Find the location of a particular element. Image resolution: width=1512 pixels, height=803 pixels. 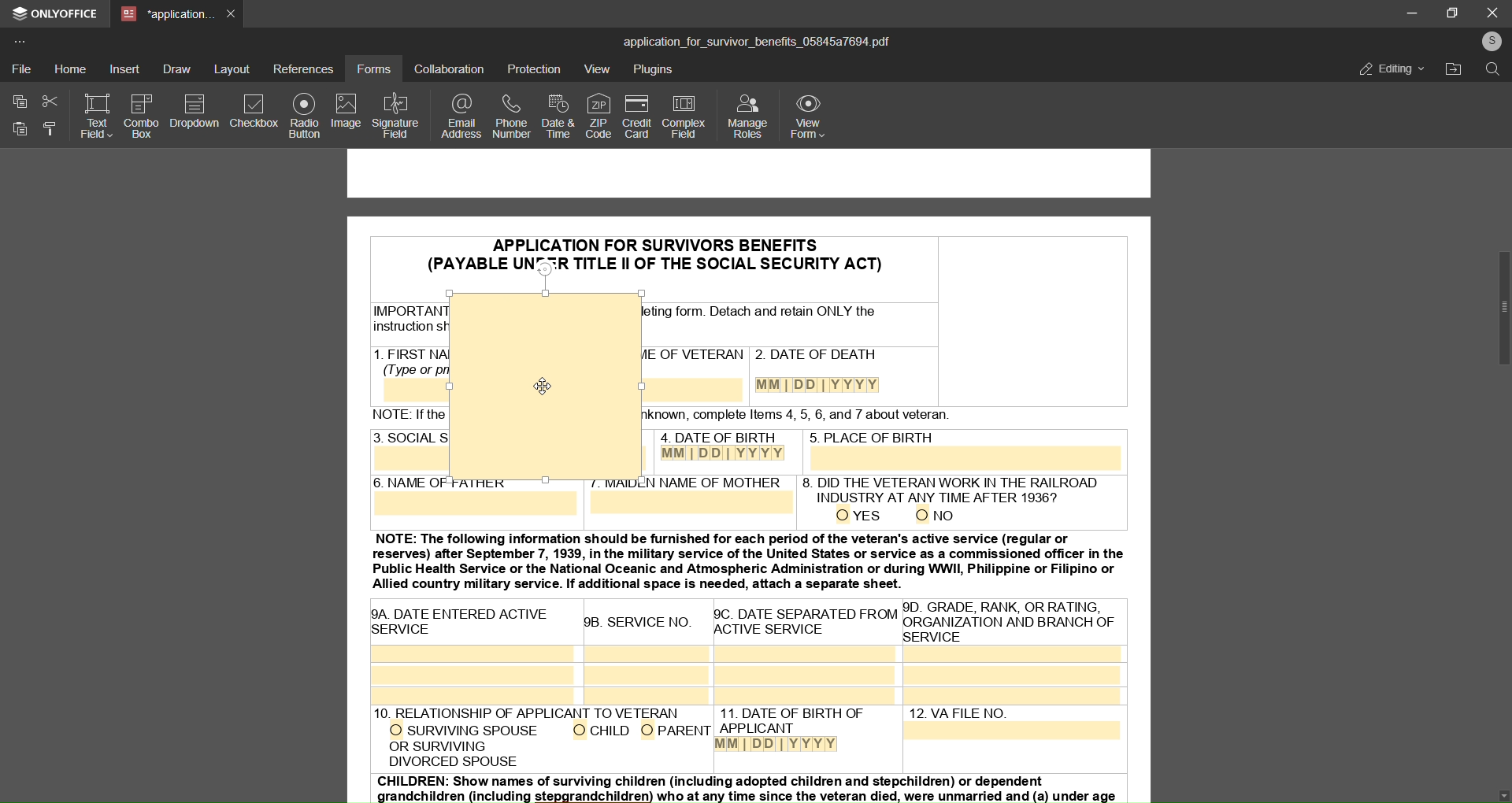

check box is located at coordinates (254, 113).